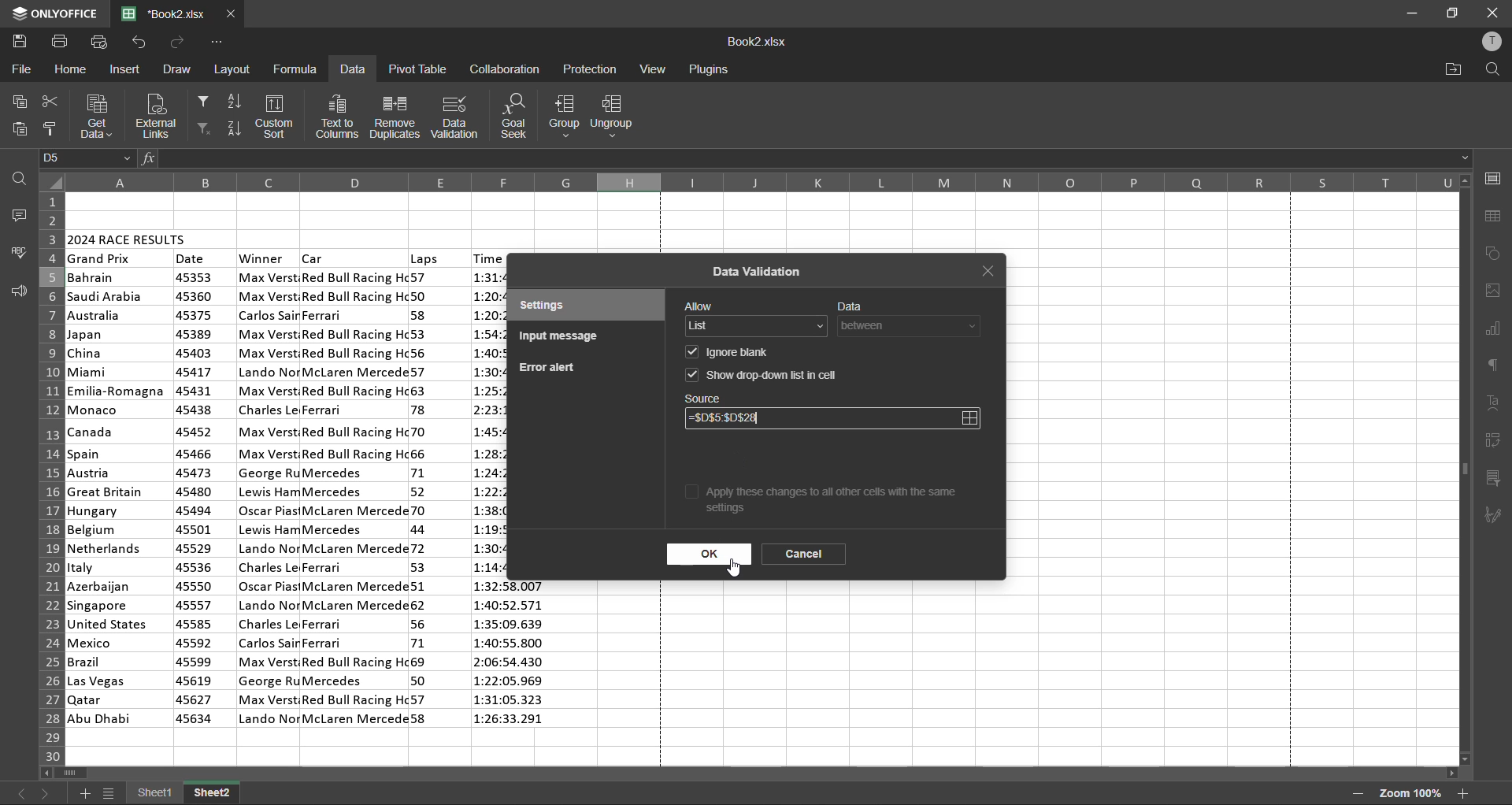  Describe the element at coordinates (18, 103) in the screenshot. I see `copy` at that location.